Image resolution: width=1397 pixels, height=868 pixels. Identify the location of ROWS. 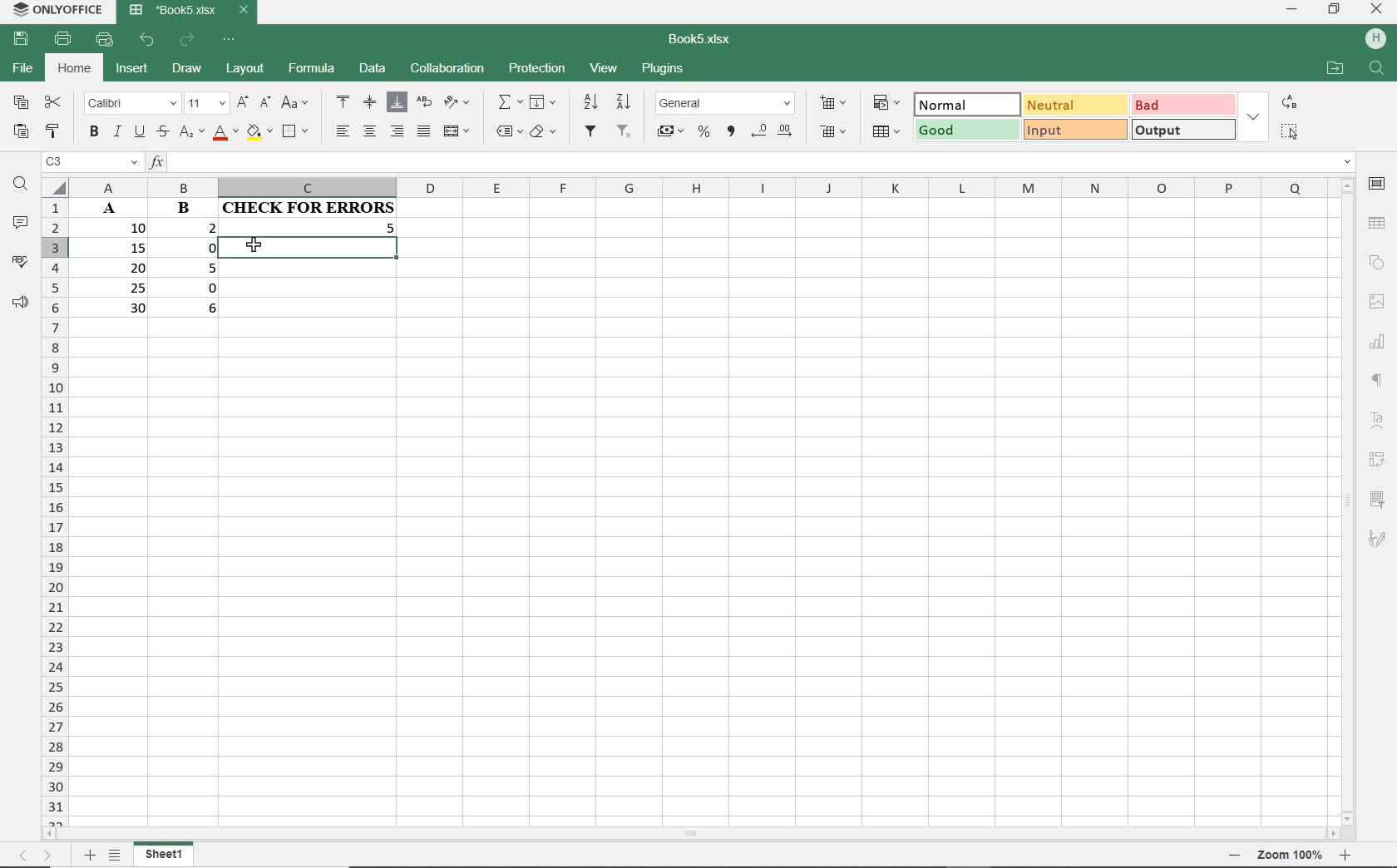
(56, 510).